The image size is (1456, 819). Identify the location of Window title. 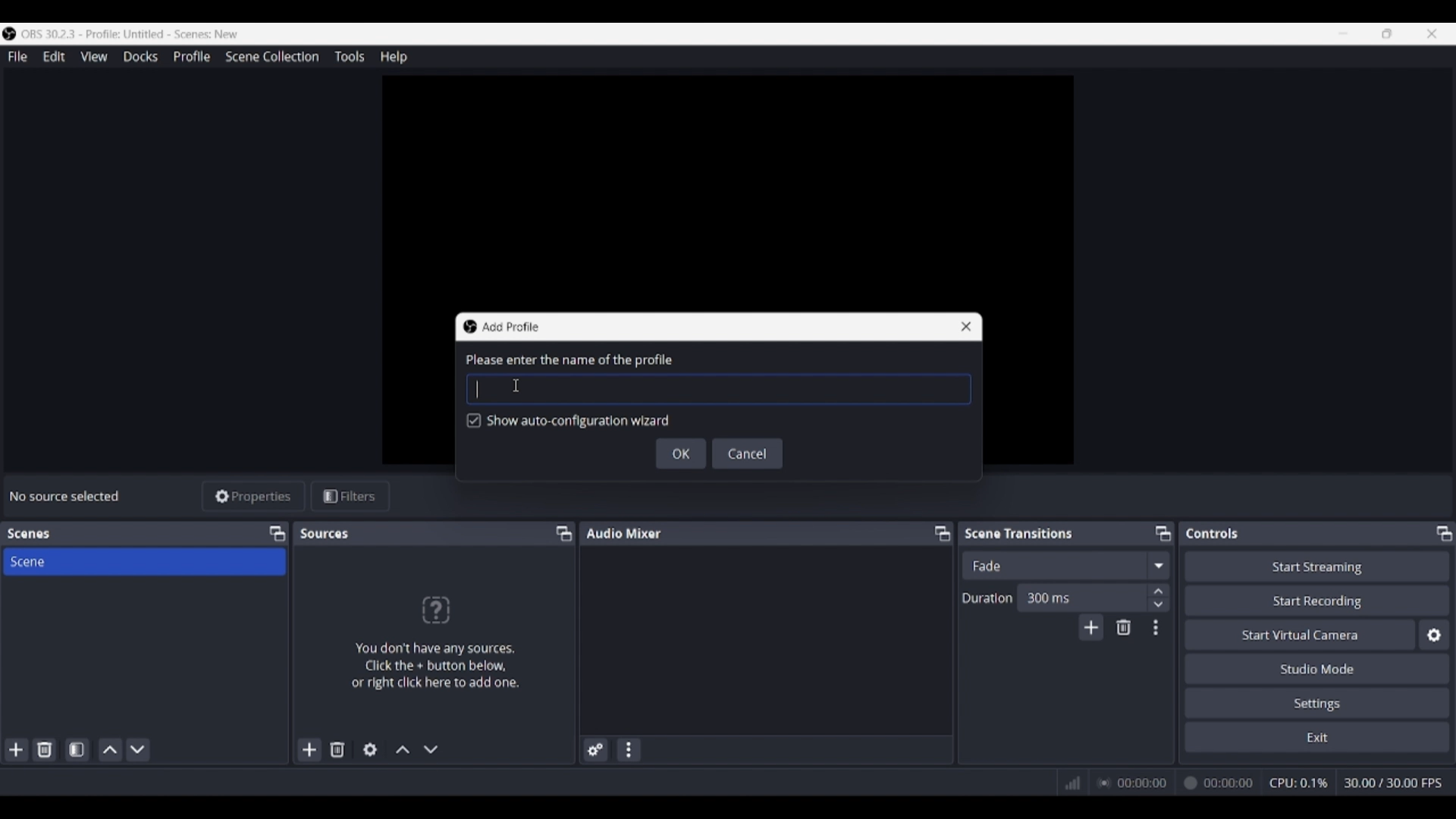
(510, 327).